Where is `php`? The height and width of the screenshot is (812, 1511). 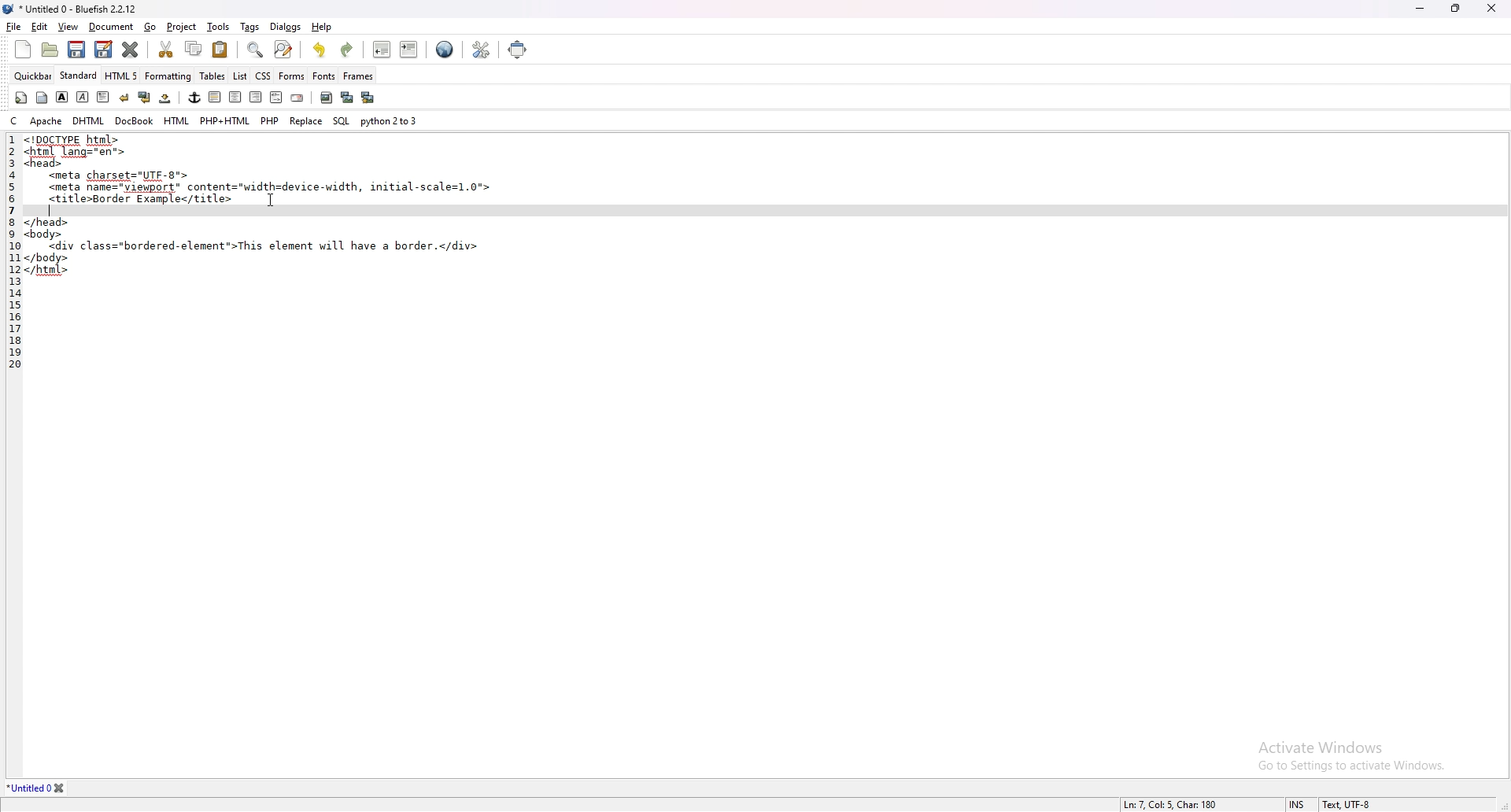 php is located at coordinates (269, 119).